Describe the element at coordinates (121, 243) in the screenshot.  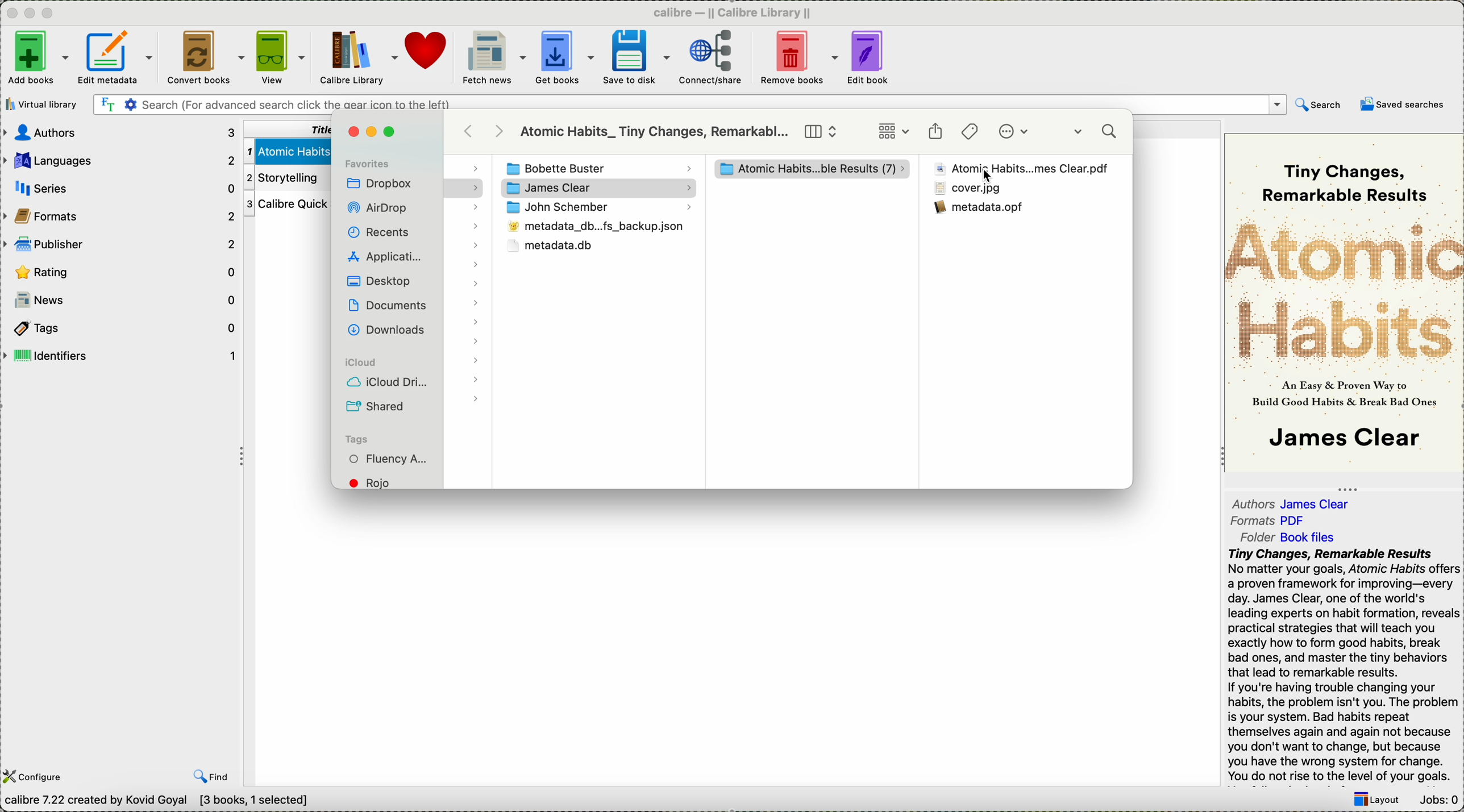
I see `publisher` at that location.